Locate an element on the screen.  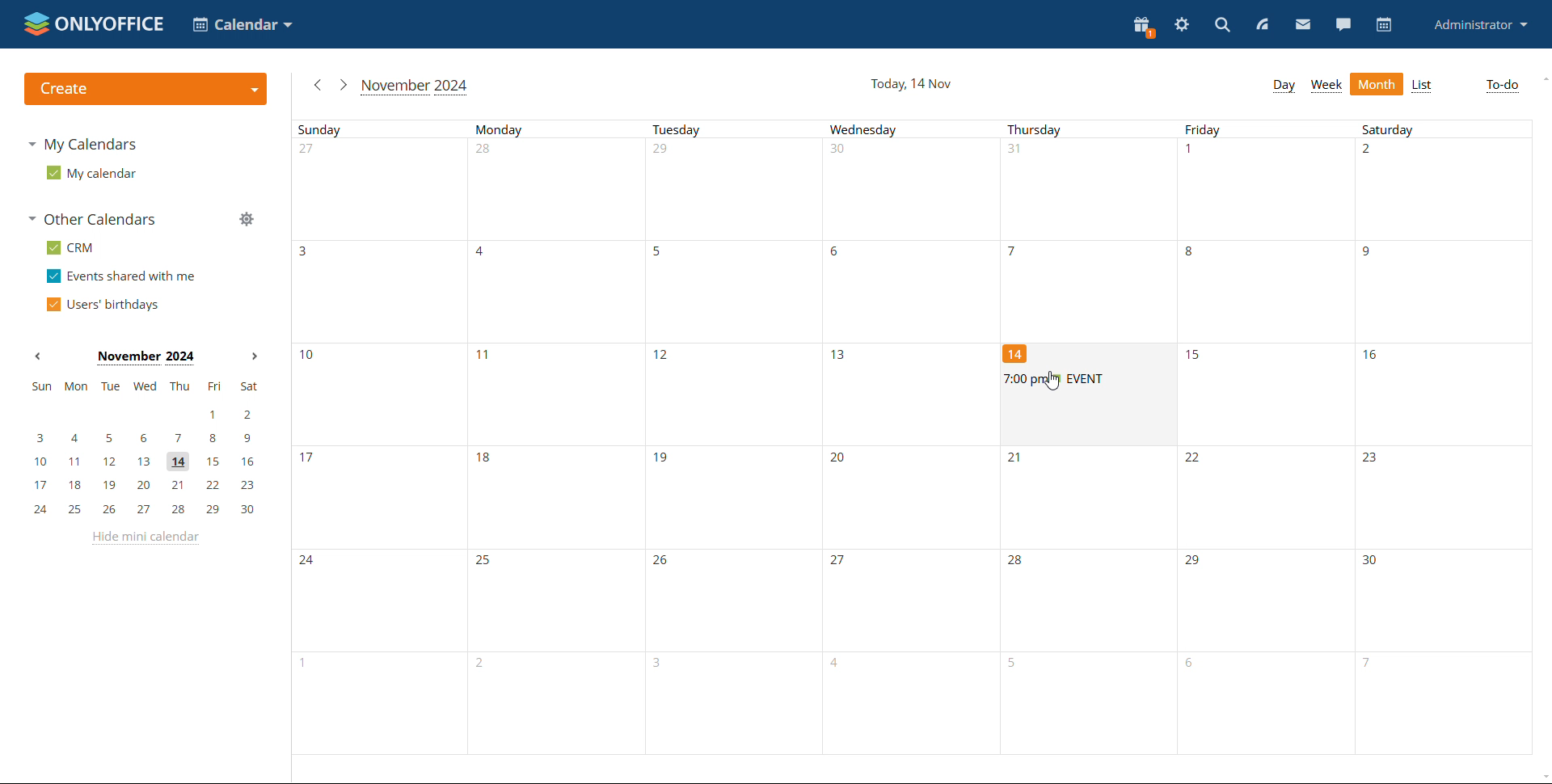
number is located at coordinates (487, 666).